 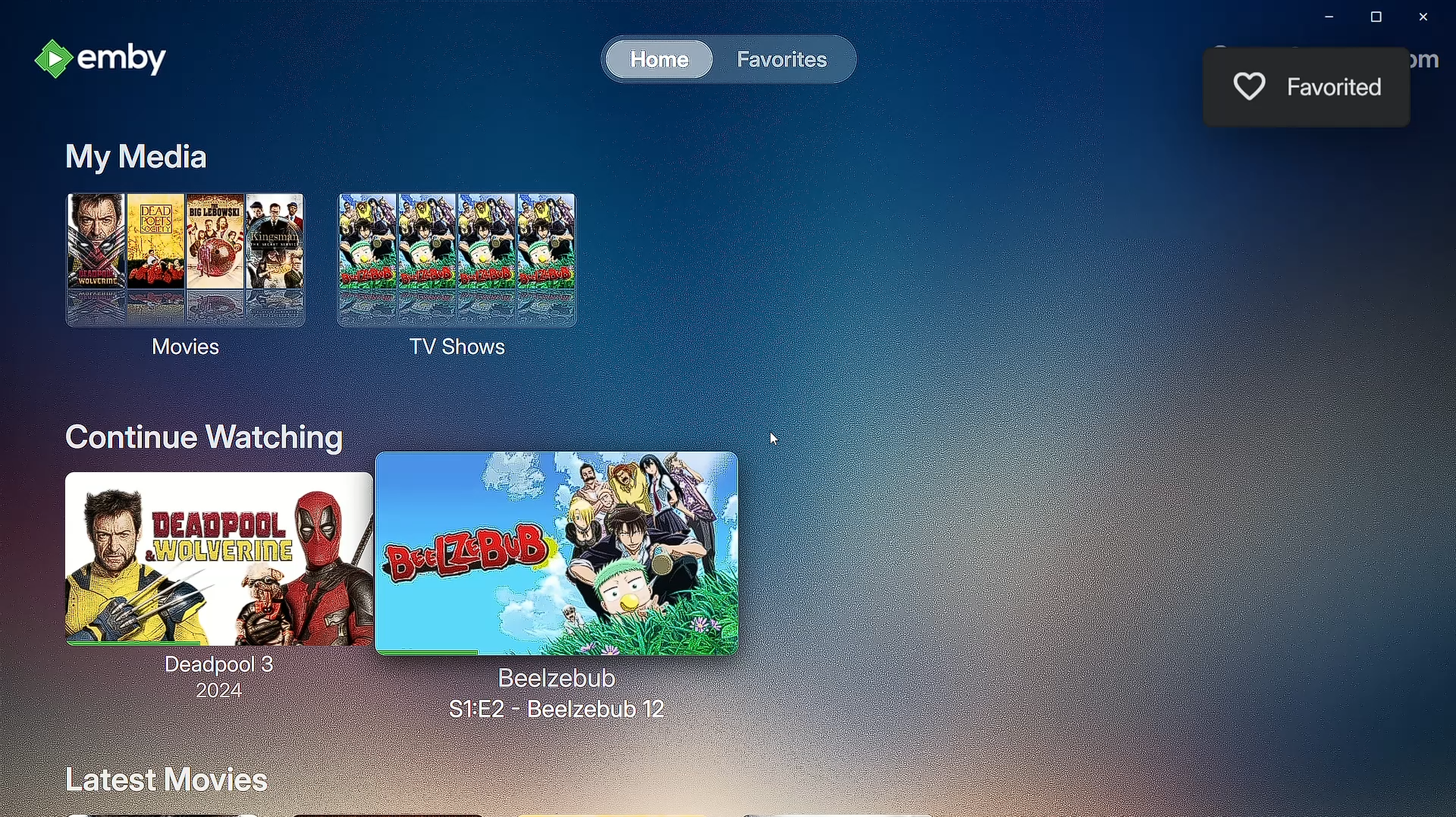 I want to click on Cursor, so click(x=779, y=440).